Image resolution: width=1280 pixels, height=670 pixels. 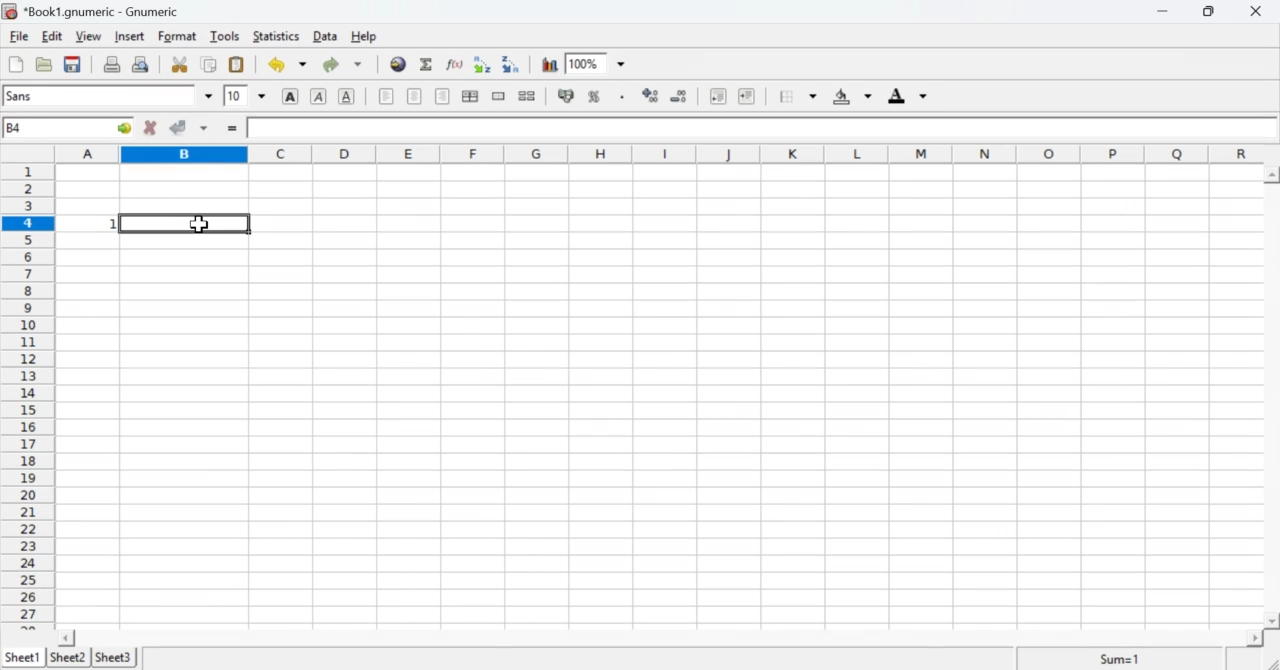 What do you see at coordinates (92, 36) in the screenshot?
I see `View` at bounding box center [92, 36].